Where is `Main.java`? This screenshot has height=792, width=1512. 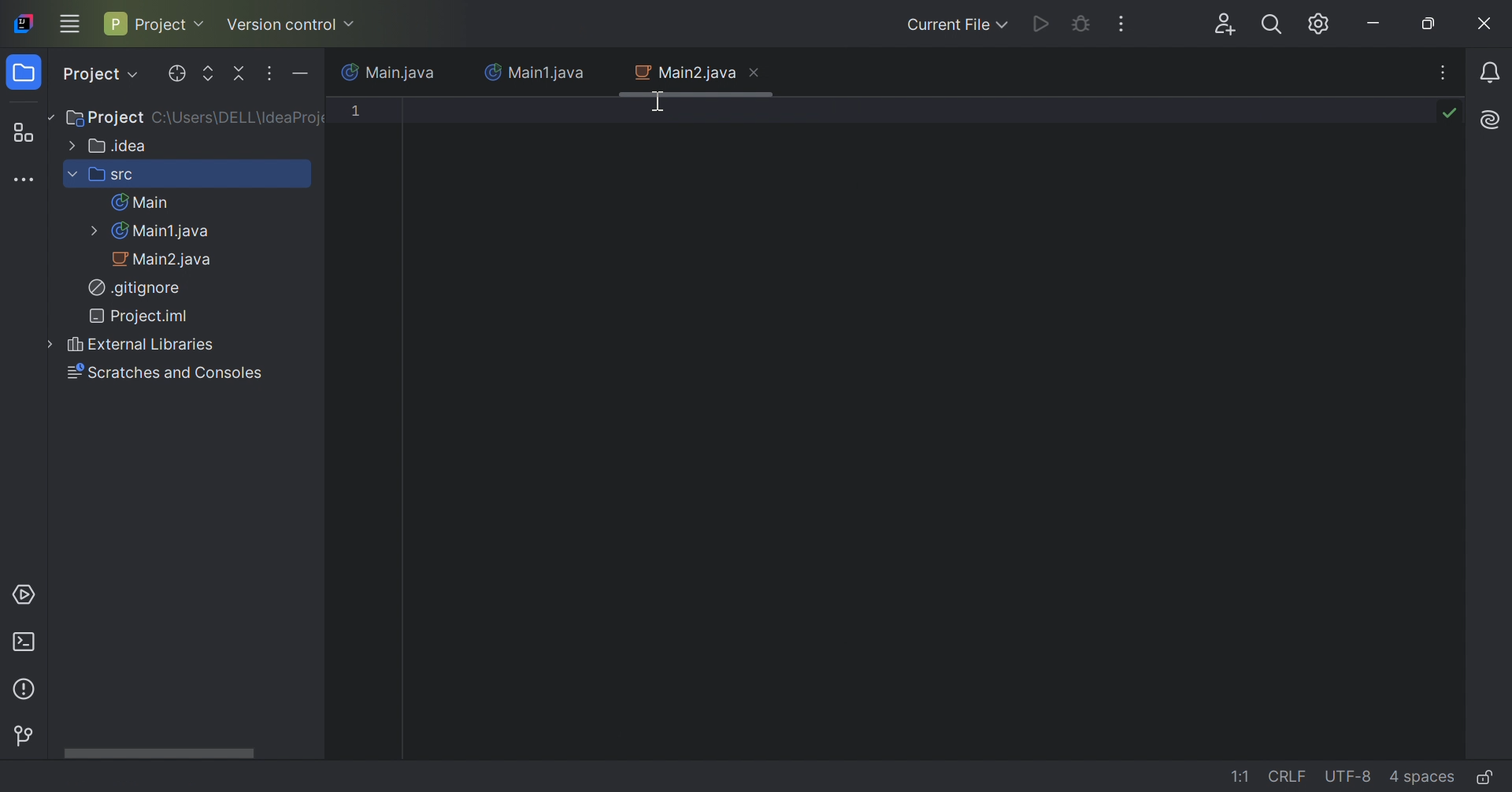
Main.java is located at coordinates (387, 72).